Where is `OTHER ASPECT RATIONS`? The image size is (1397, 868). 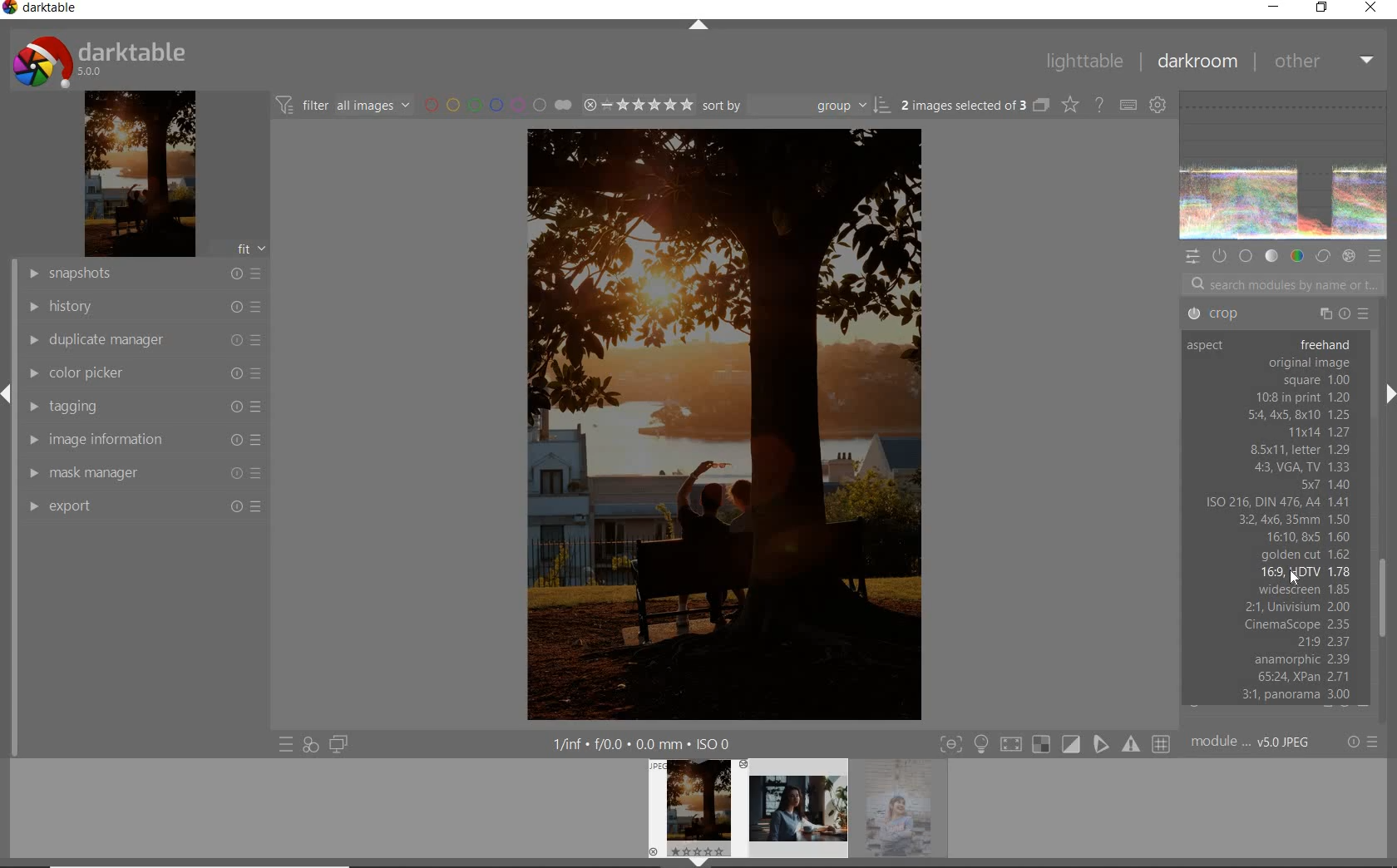 OTHER ASPECT RATIONS is located at coordinates (1277, 467).